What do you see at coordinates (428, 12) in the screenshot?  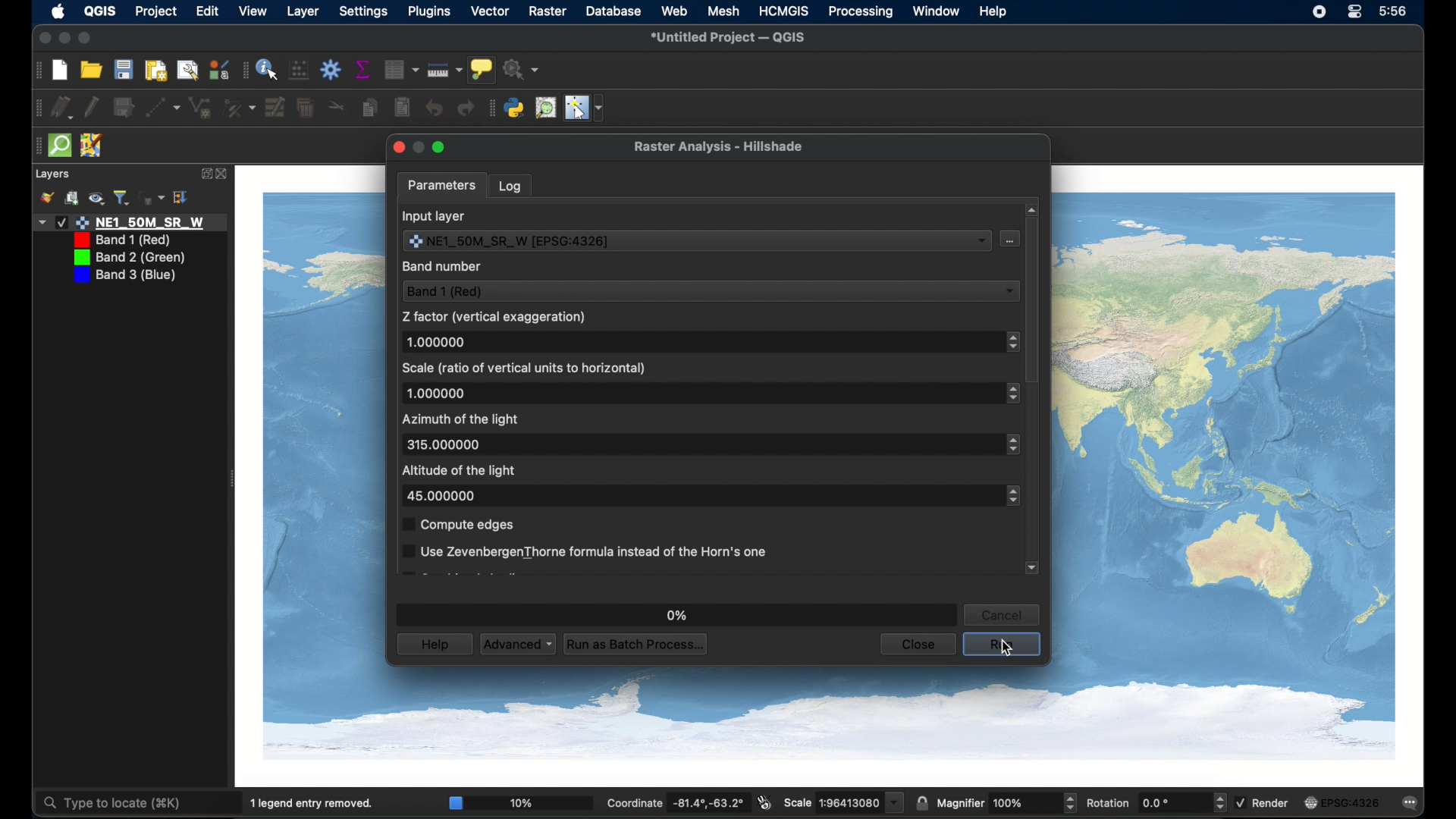 I see `plugins` at bounding box center [428, 12].